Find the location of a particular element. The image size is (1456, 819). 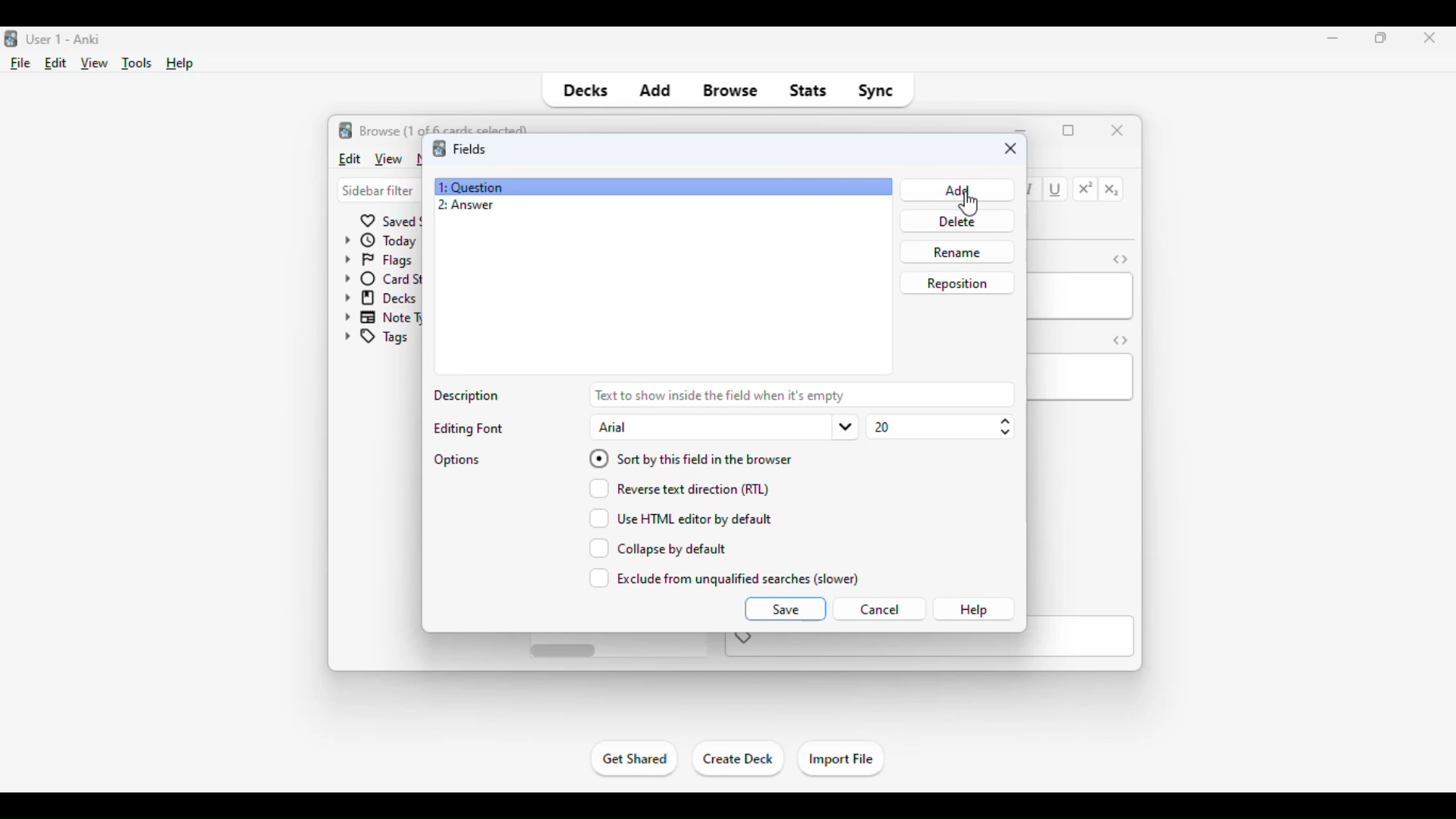

minimize is located at coordinates (1022, 129).